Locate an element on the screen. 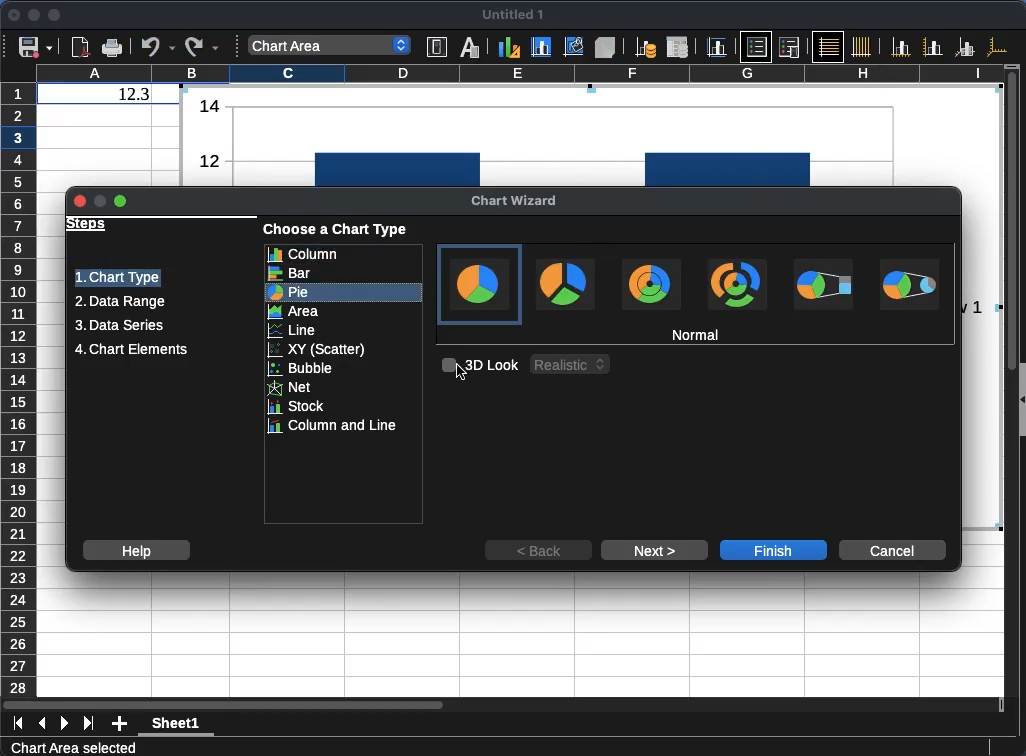  maximize is located at coordinates (56, 16).